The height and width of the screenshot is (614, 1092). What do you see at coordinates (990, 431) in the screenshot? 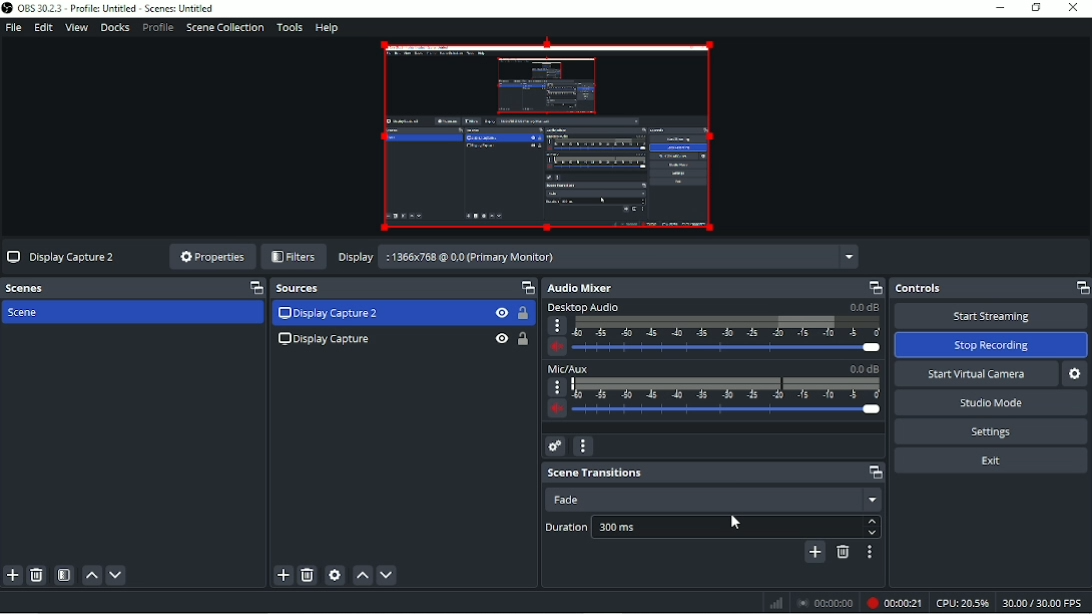
I see `Settings` at bounding box center [990, 431].